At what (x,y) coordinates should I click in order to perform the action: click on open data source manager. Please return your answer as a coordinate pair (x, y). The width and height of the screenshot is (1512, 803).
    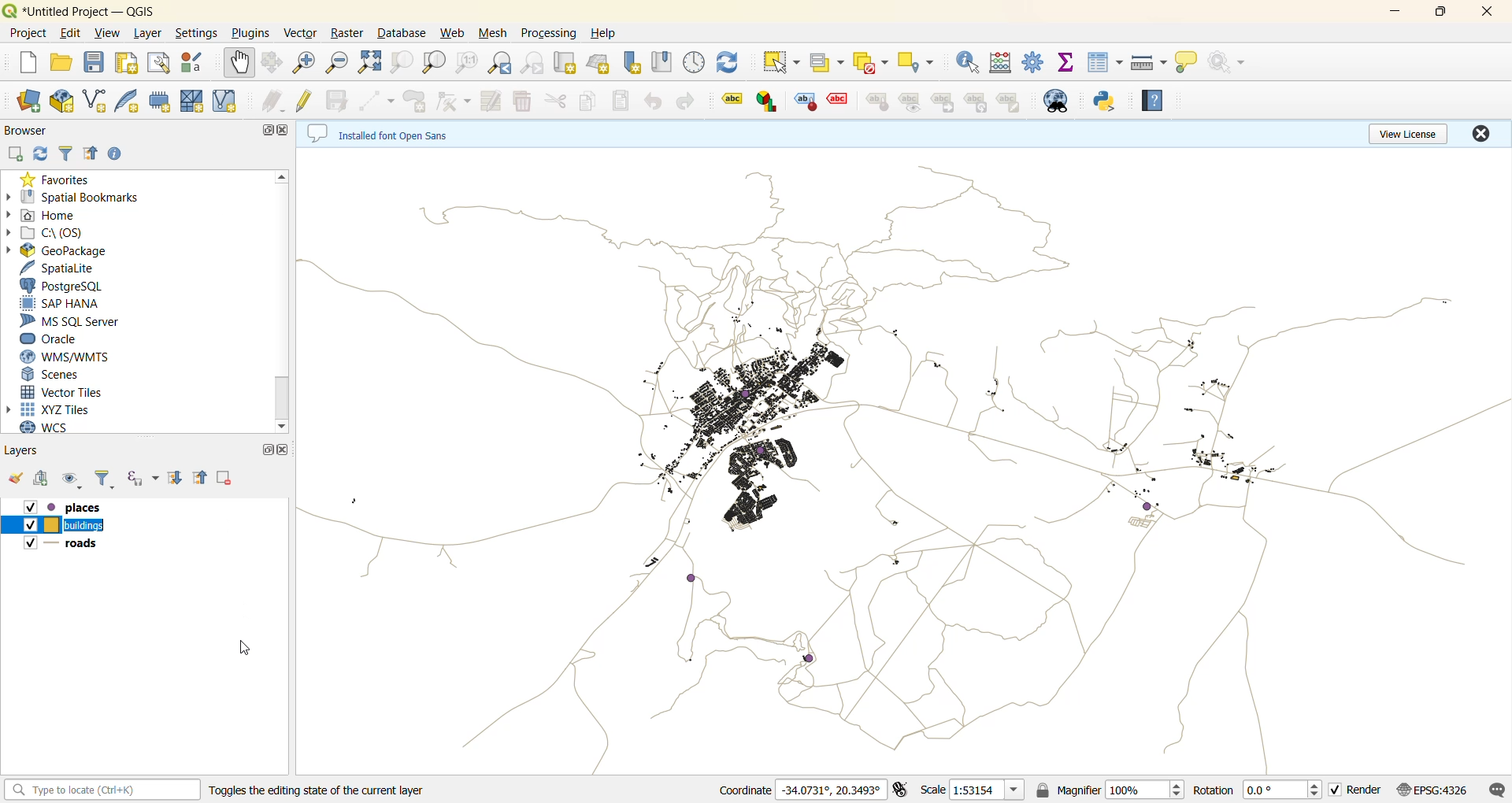
    Looking at the image, I should click on (26, 101).